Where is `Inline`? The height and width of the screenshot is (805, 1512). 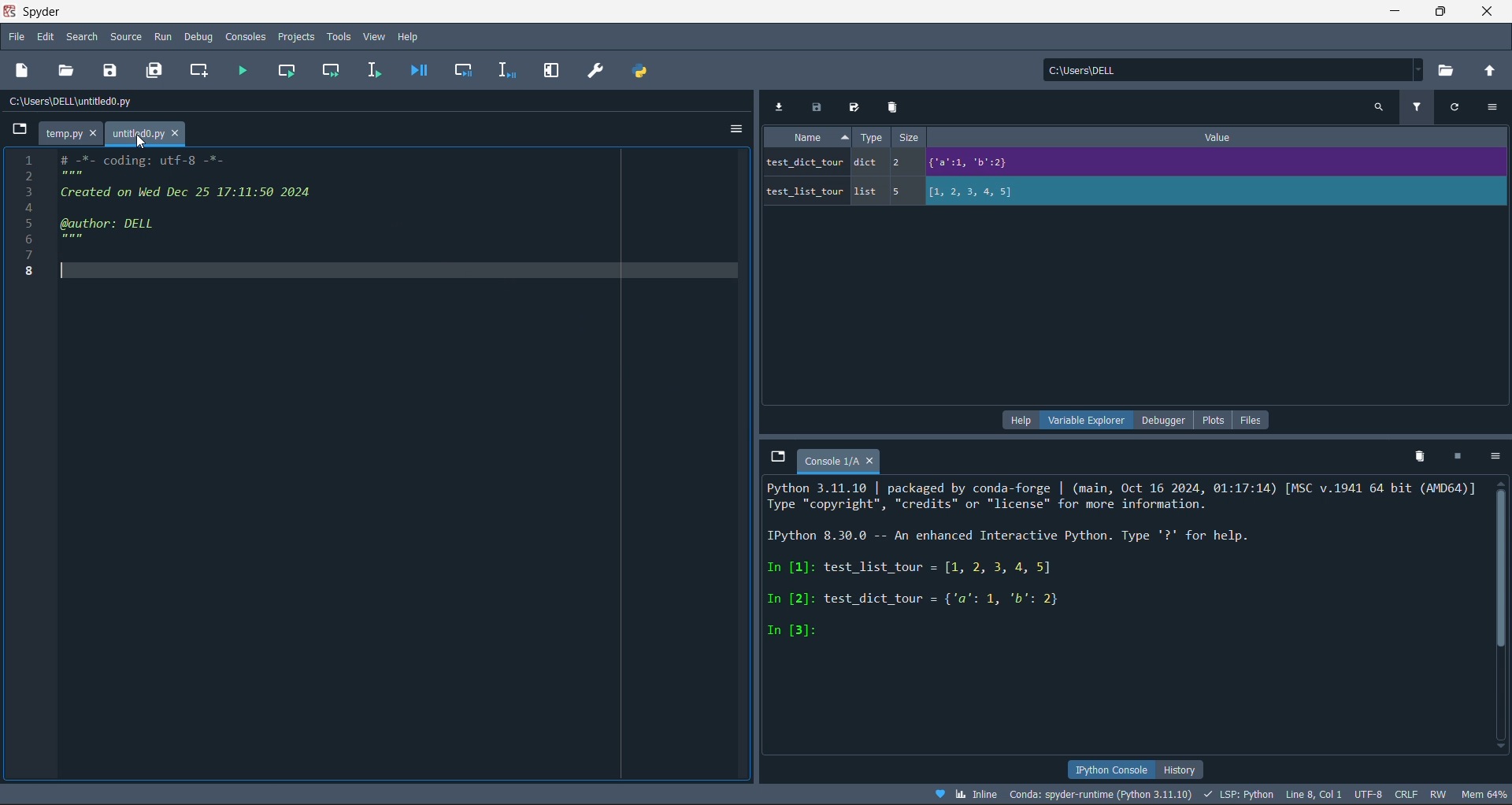 Inline is located at coordinates (966, 795).